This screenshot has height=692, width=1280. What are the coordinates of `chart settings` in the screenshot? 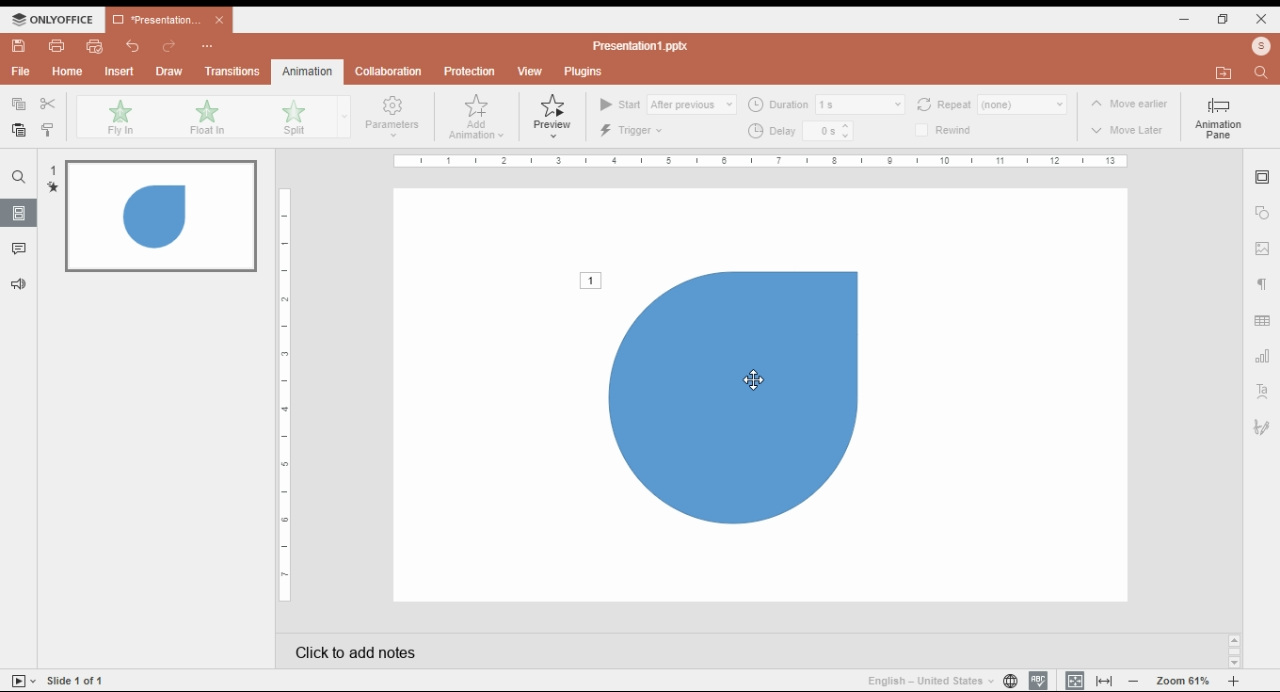 It's located at (1262, 357).